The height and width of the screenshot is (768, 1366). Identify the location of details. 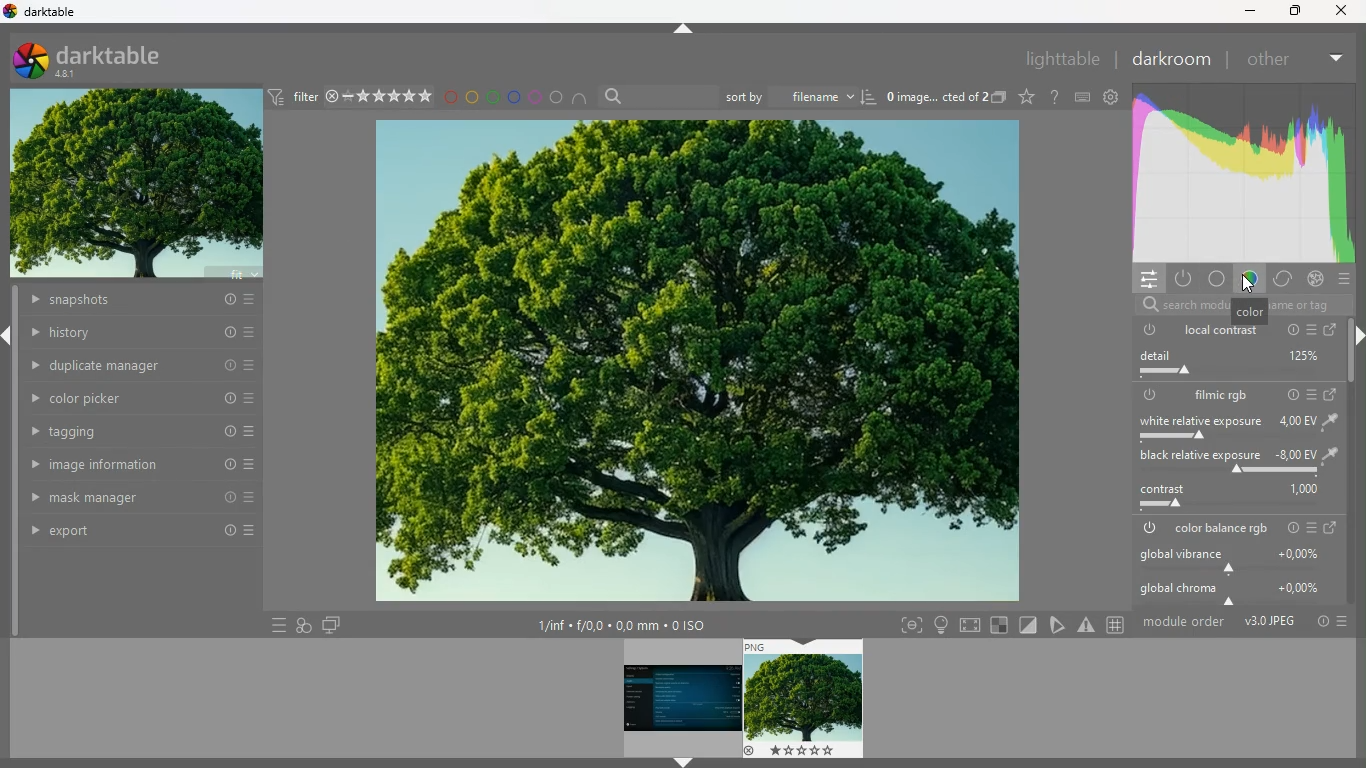
(632, 626).